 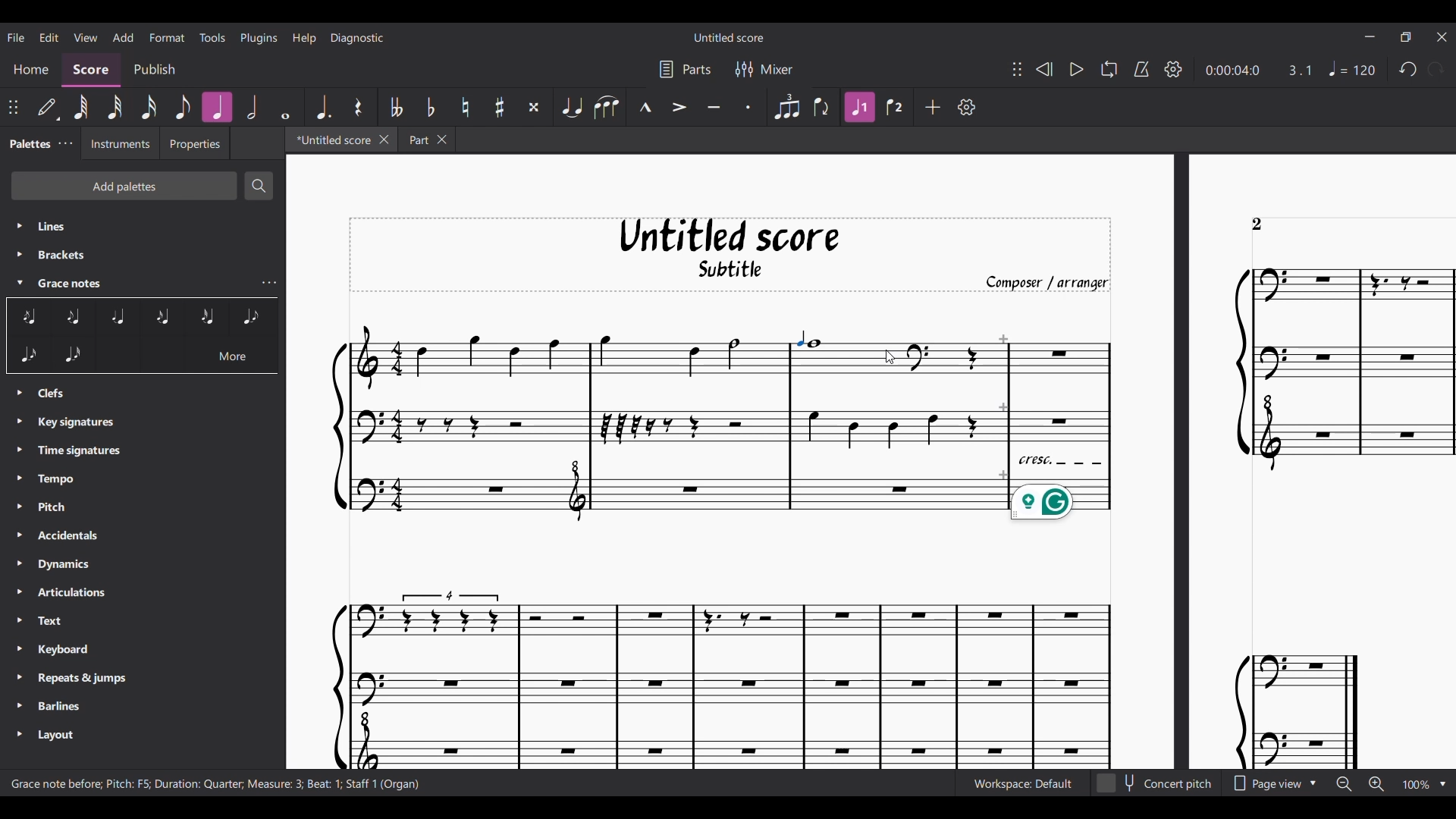 What do you see at coordinates (216, 784) in the screenshot?
I see `Description of current selection` at bounding box center [216, 784].